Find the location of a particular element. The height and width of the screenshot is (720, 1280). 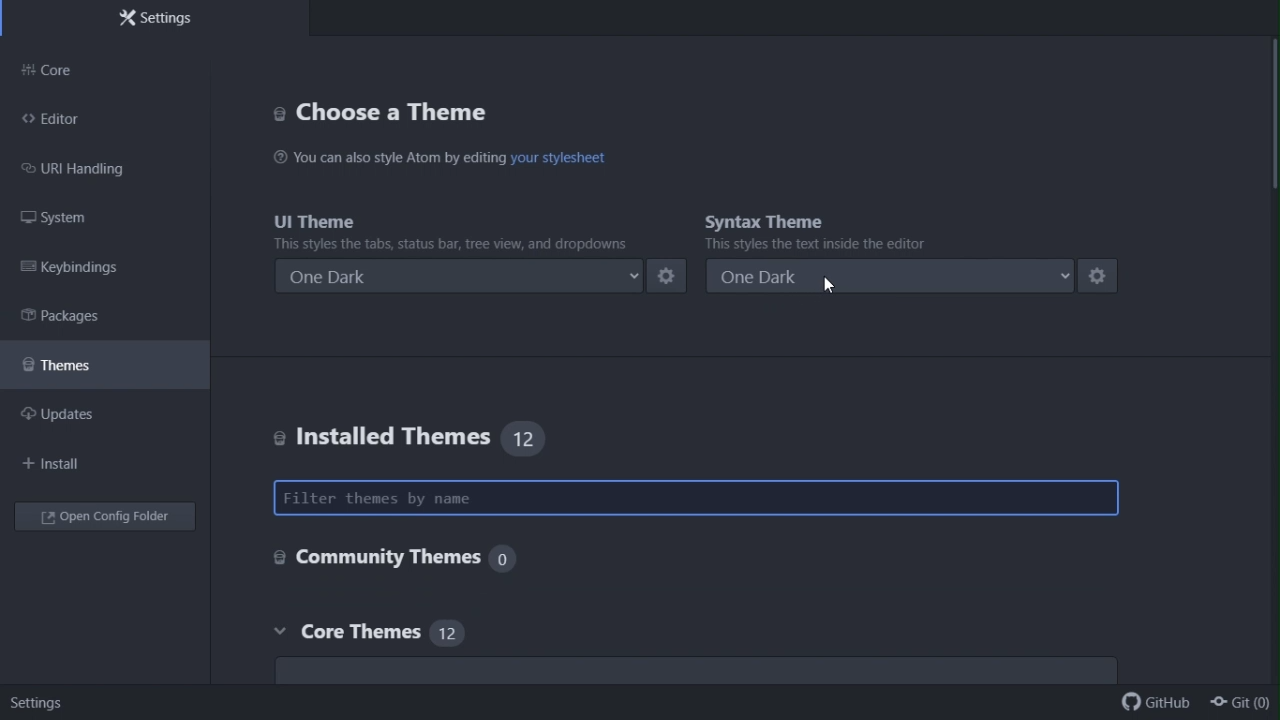

 is located at coordinates (61, 465).